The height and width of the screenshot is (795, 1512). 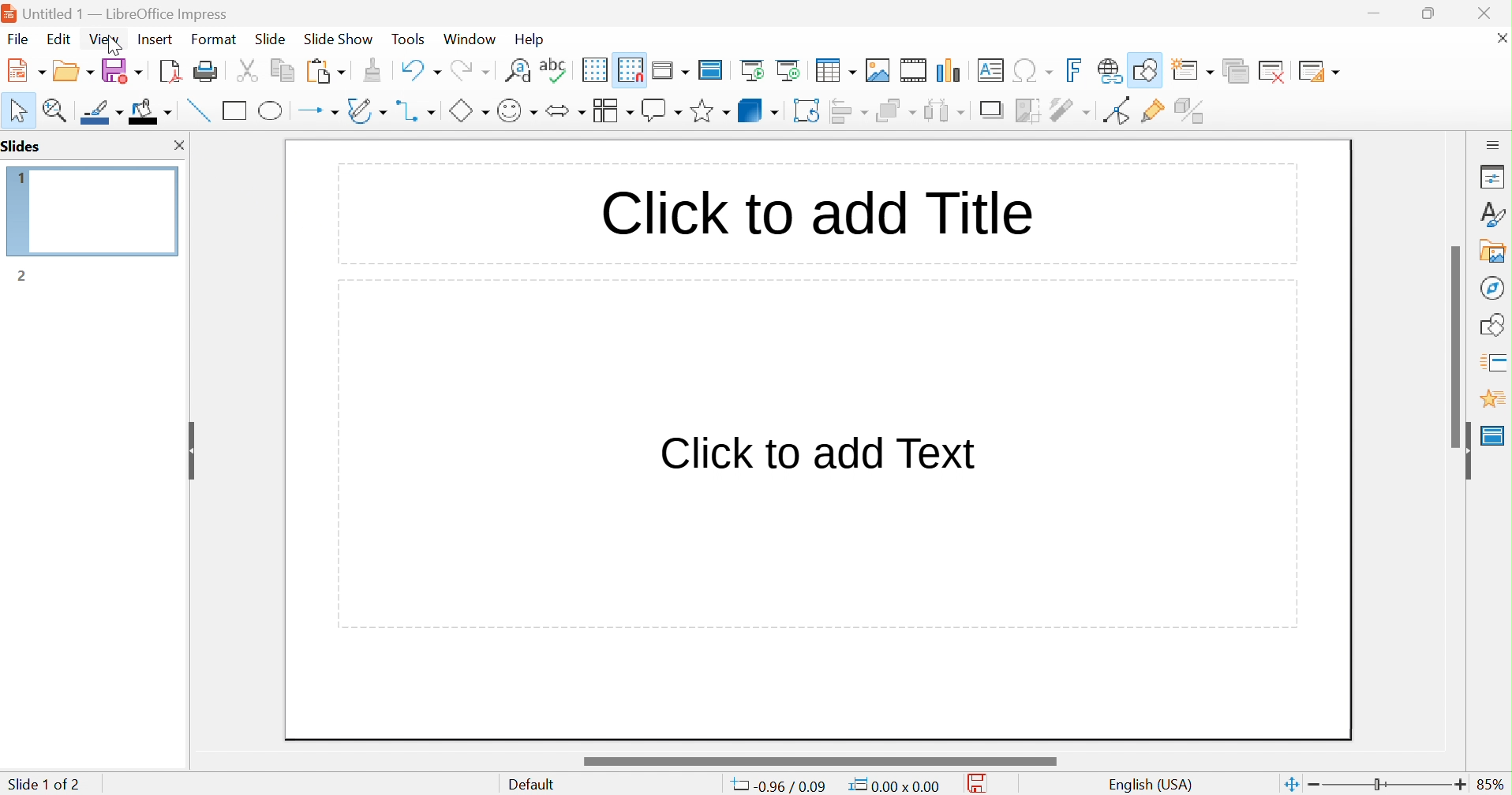 I want to click on default, so click(x=536, y=785).